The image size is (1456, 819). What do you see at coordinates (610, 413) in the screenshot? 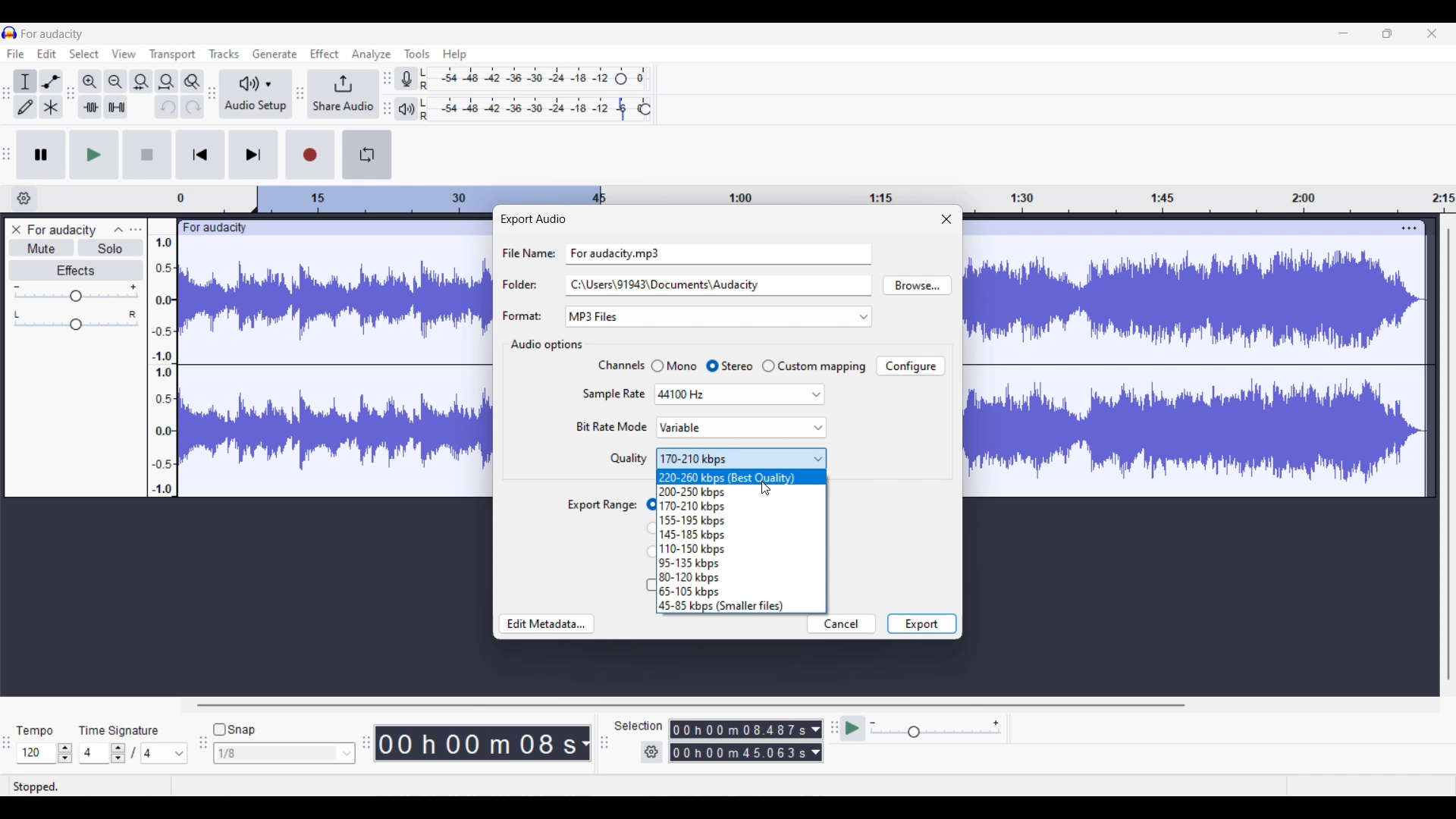
I see `Setting options under current section` at bounding box center [610, 413].